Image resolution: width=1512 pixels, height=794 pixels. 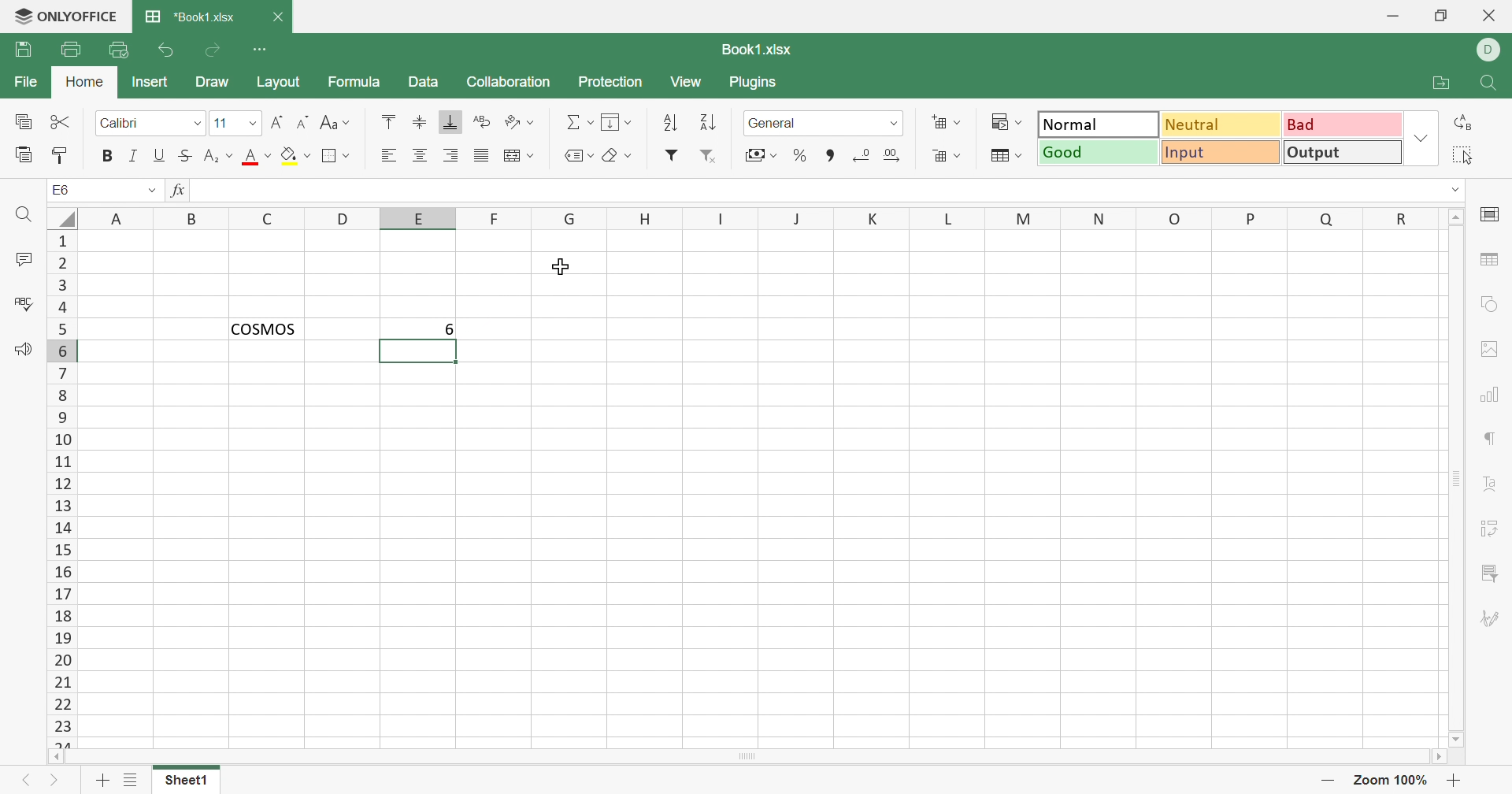 What do you see at coordinates (481, 157) in the screenshot?
I see `Justified` at bounding box center [481, 157].